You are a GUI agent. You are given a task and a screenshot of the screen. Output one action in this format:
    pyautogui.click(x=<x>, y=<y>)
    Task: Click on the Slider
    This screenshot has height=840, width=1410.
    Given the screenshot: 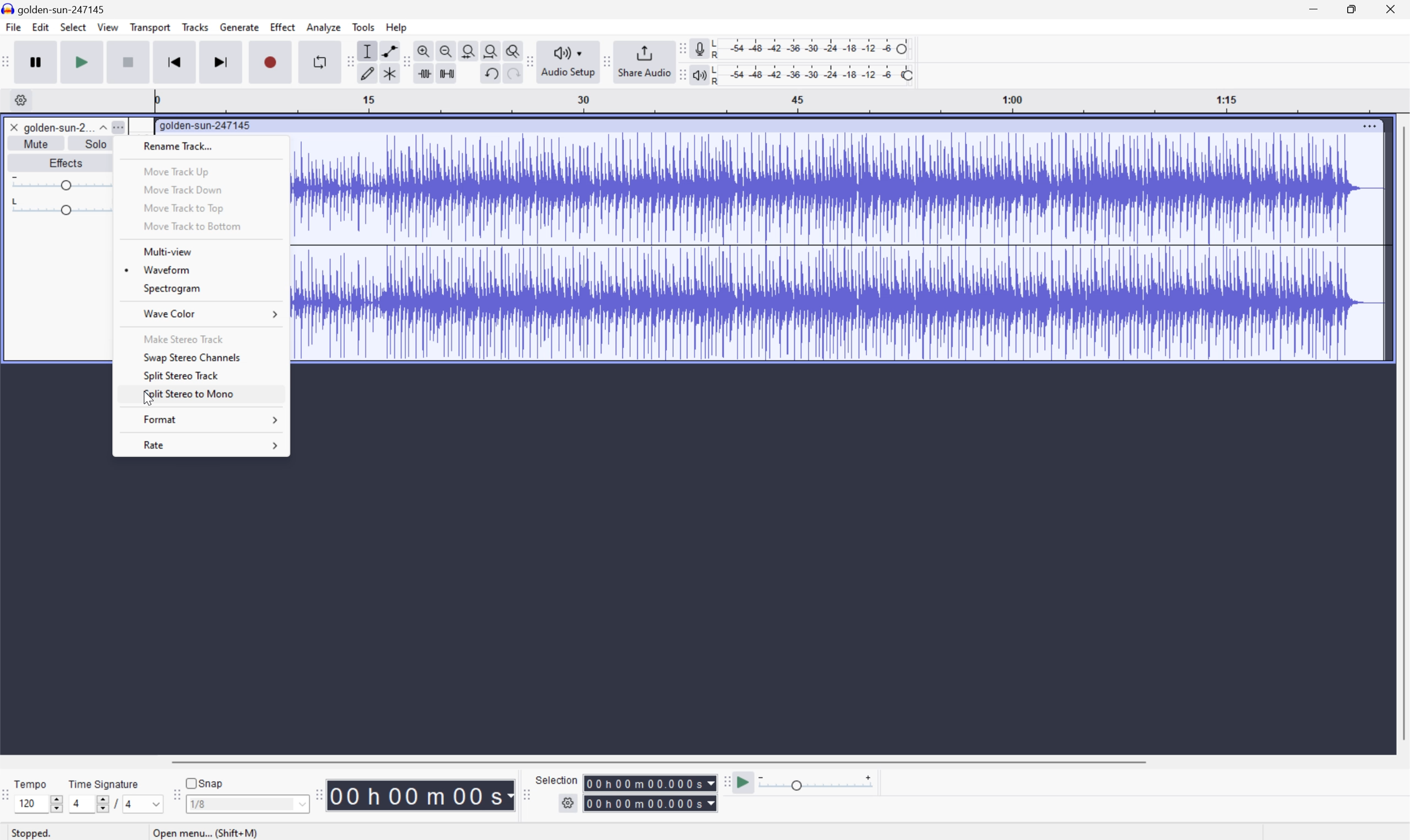 What is the action you would take?
    pyautogui.click(x=65, y=207)
    